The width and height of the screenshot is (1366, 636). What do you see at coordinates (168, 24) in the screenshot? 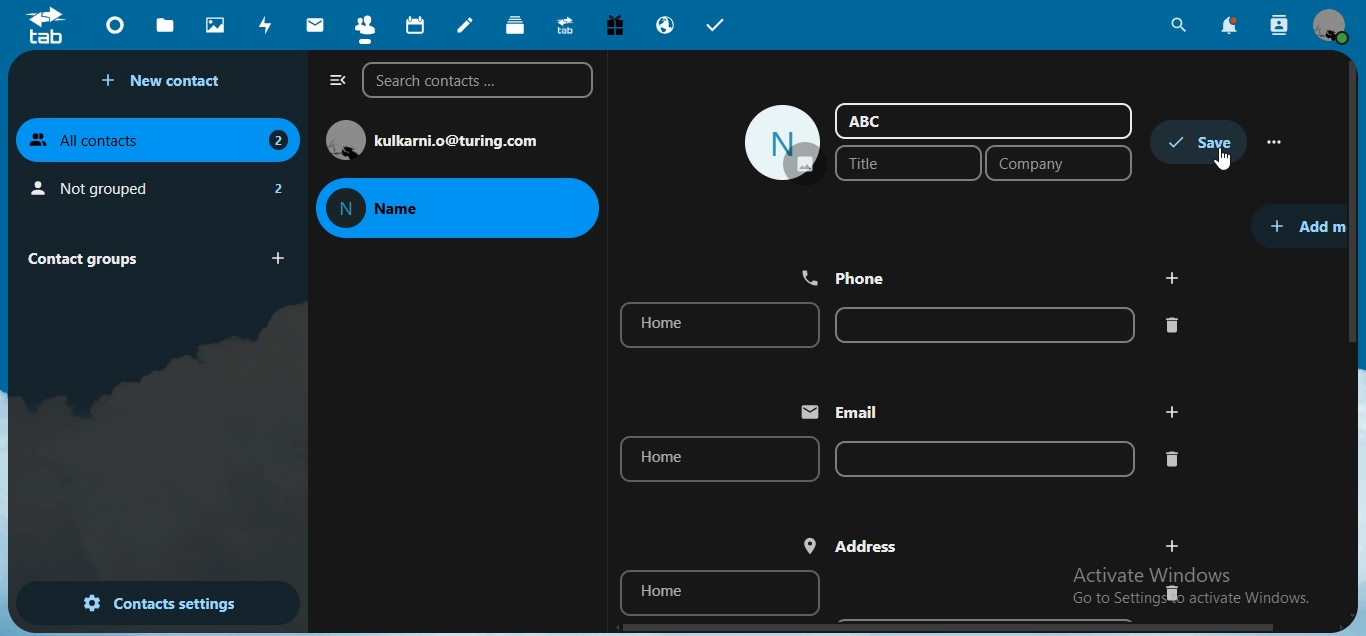
I see `files` at bounding box center [168, 24].